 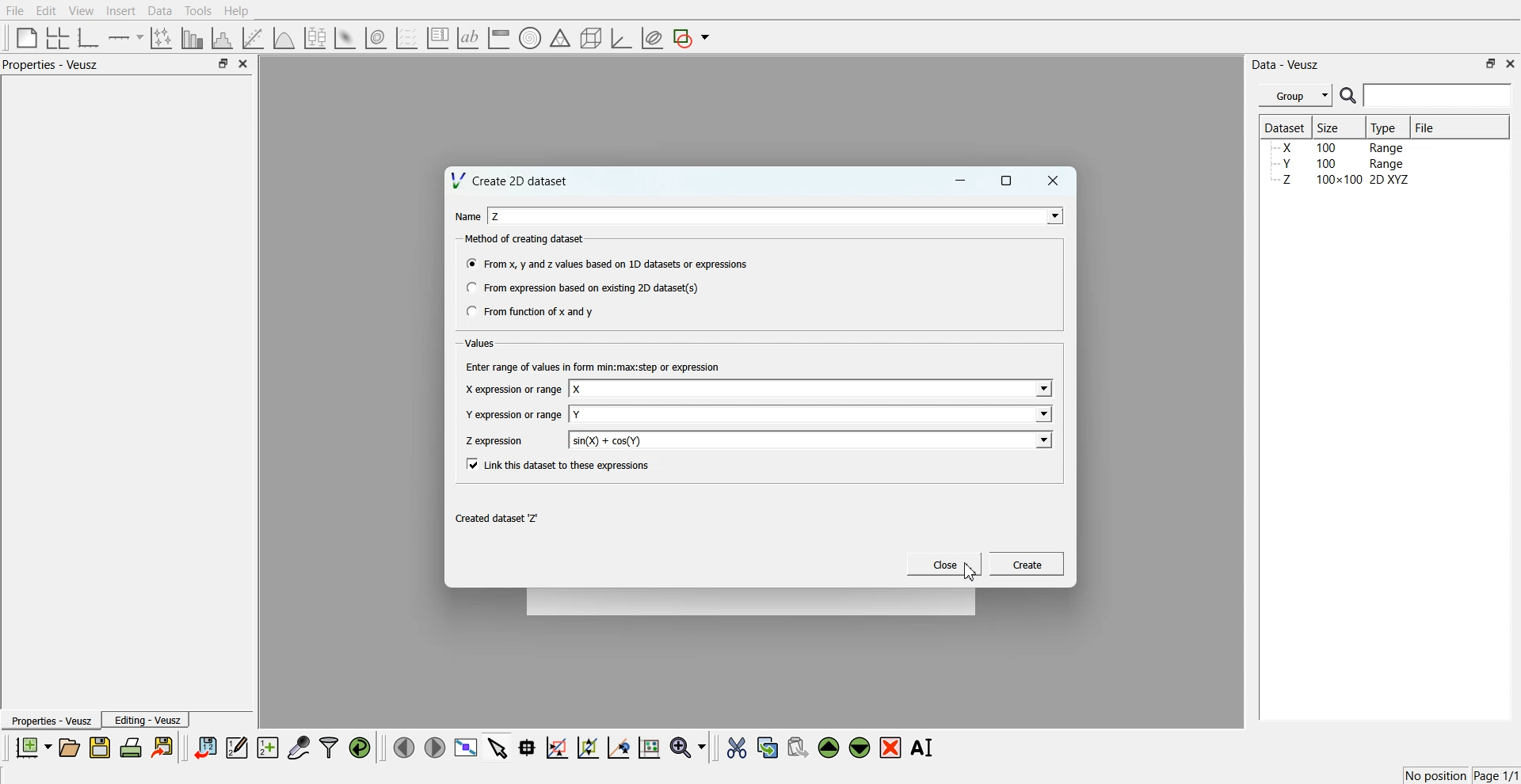 I want to click on Enter name, so click(x=812, y=440).